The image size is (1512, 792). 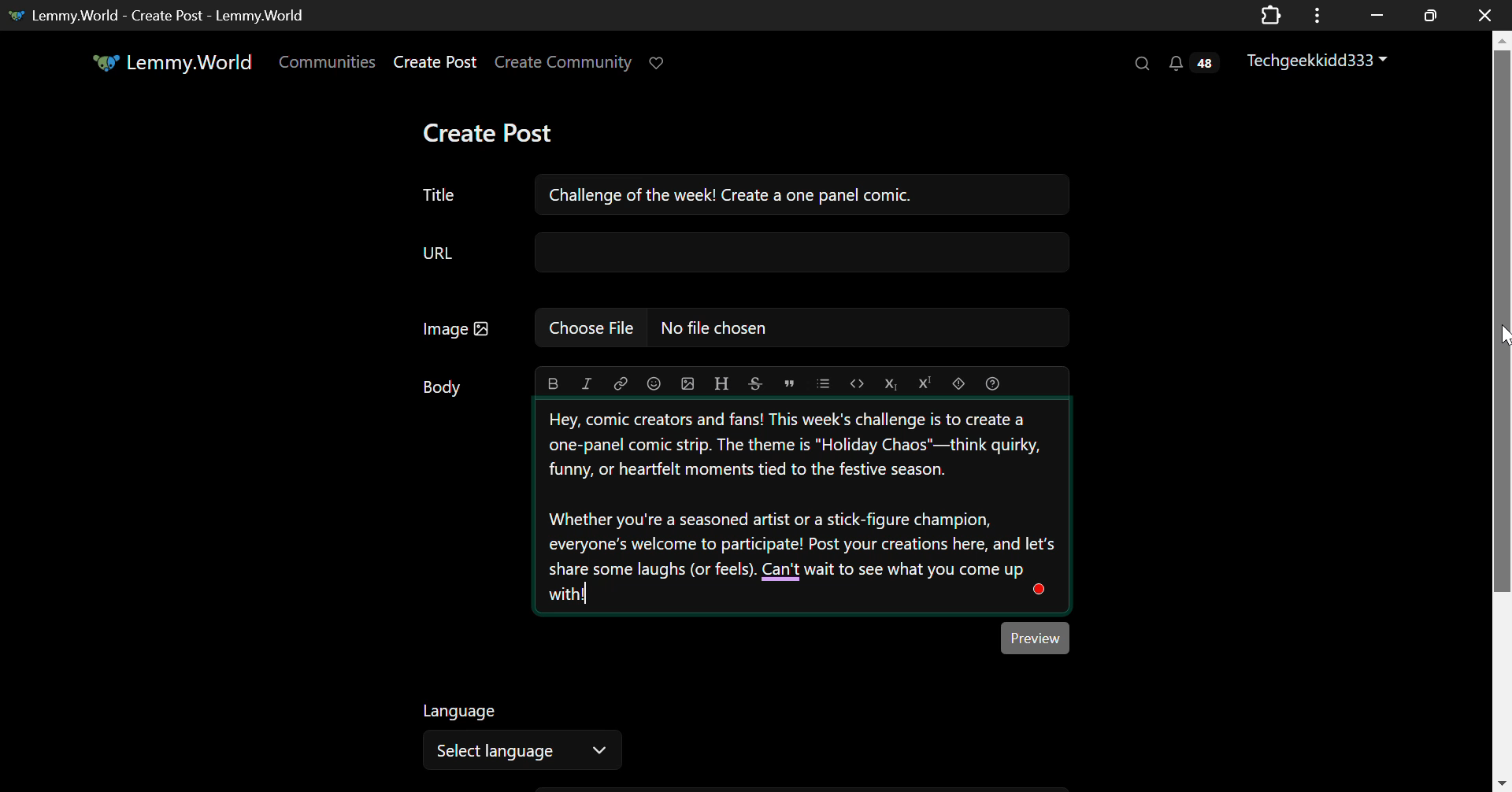 I want to click on Preview, so click(x=1036, y=638).